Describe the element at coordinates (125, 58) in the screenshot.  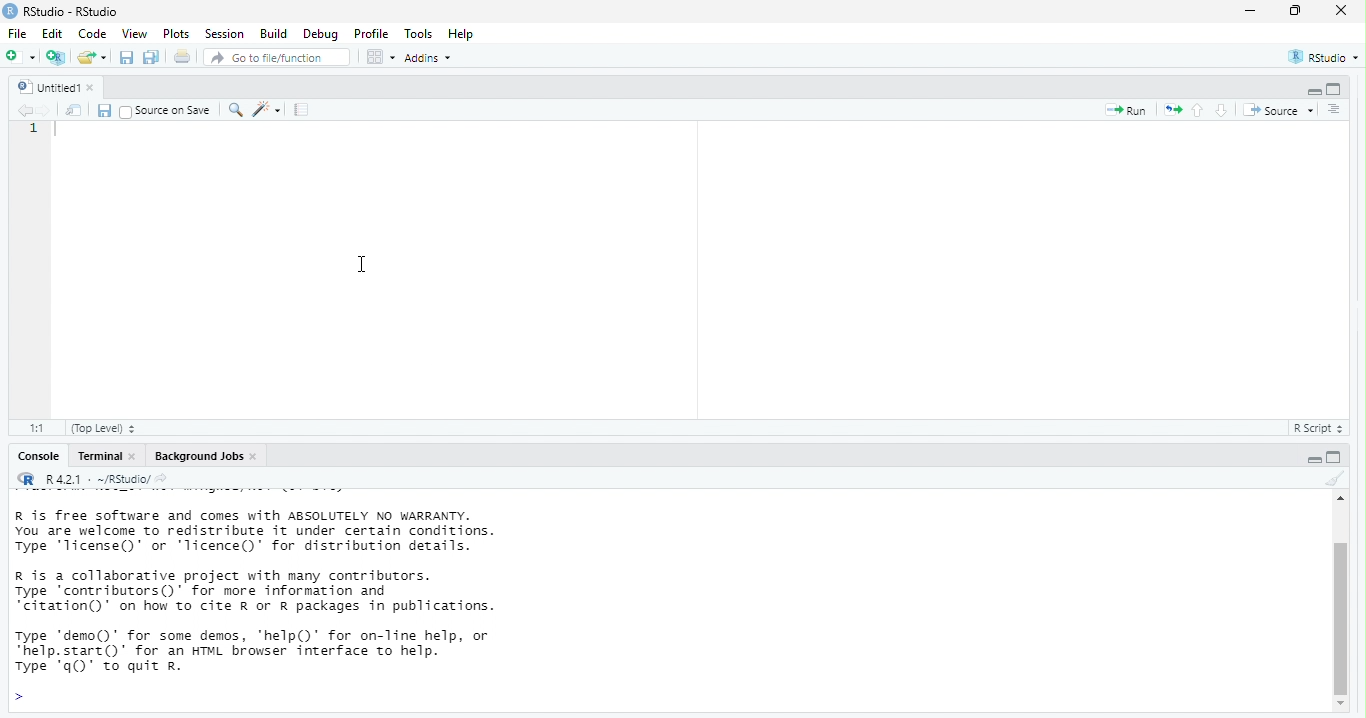
I see `save current document` at that location.